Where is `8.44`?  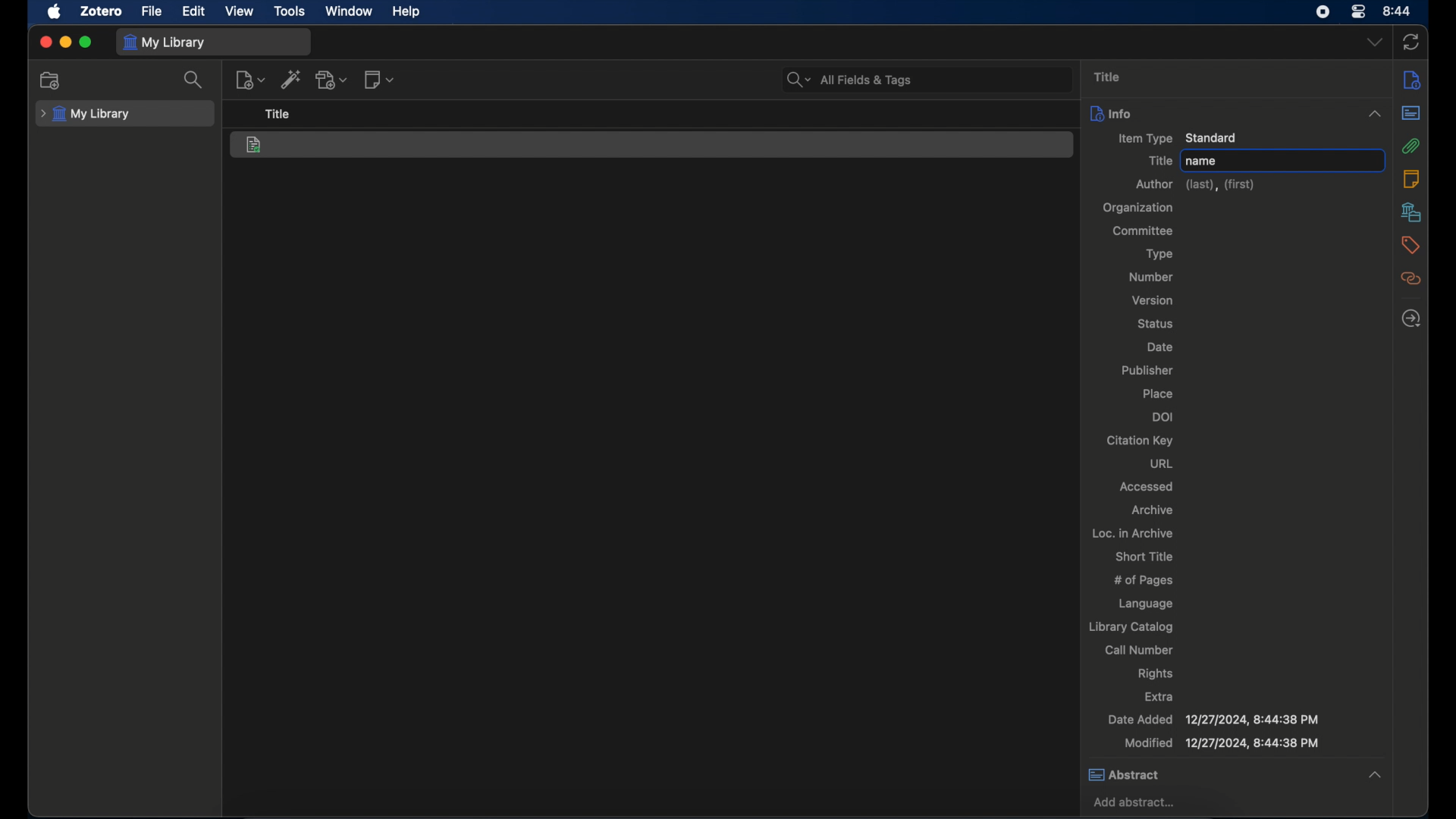
8.44 is located at coordinates (1398, 10).